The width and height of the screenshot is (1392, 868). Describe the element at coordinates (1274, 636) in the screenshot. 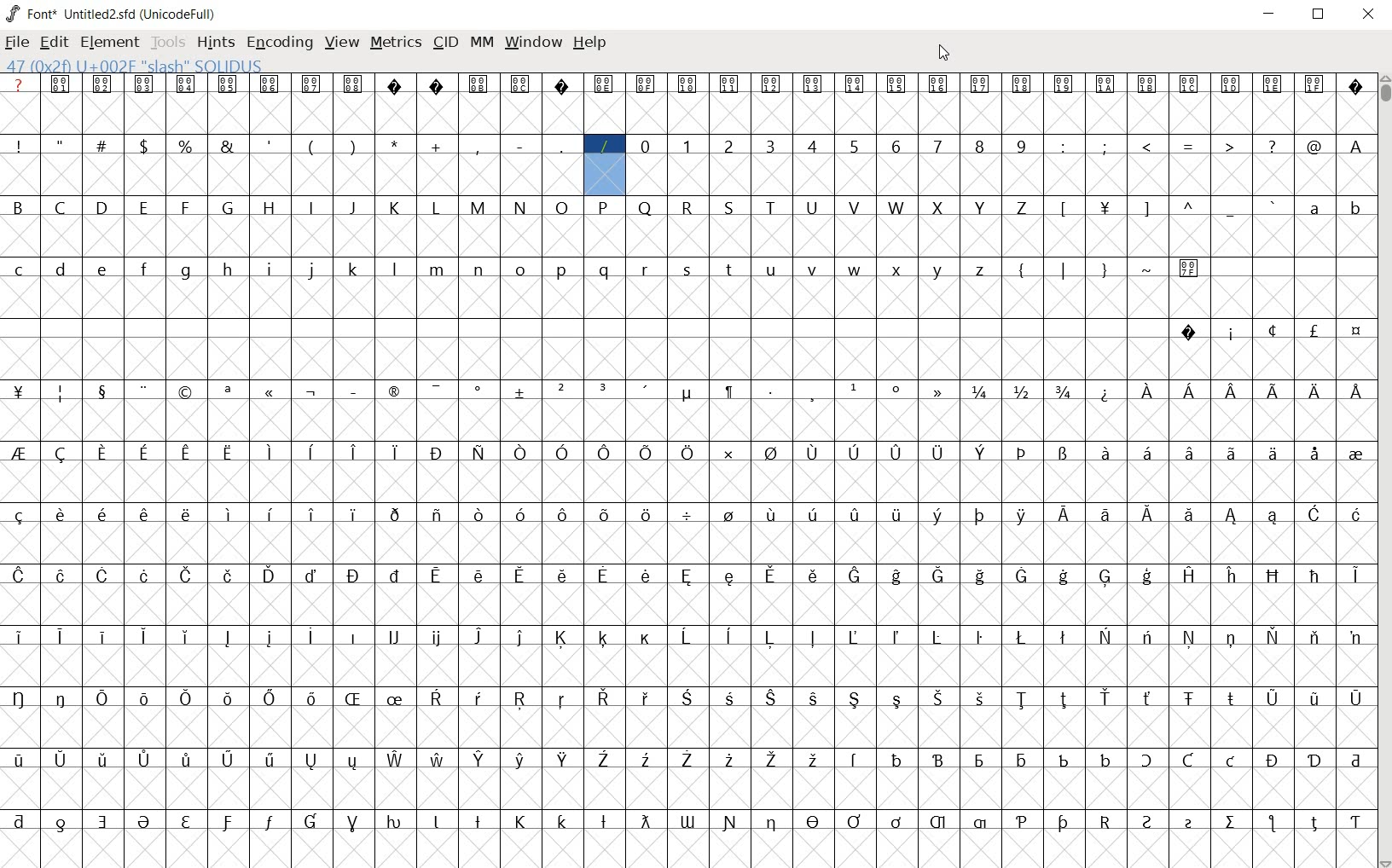

I see `glyph` at that location.